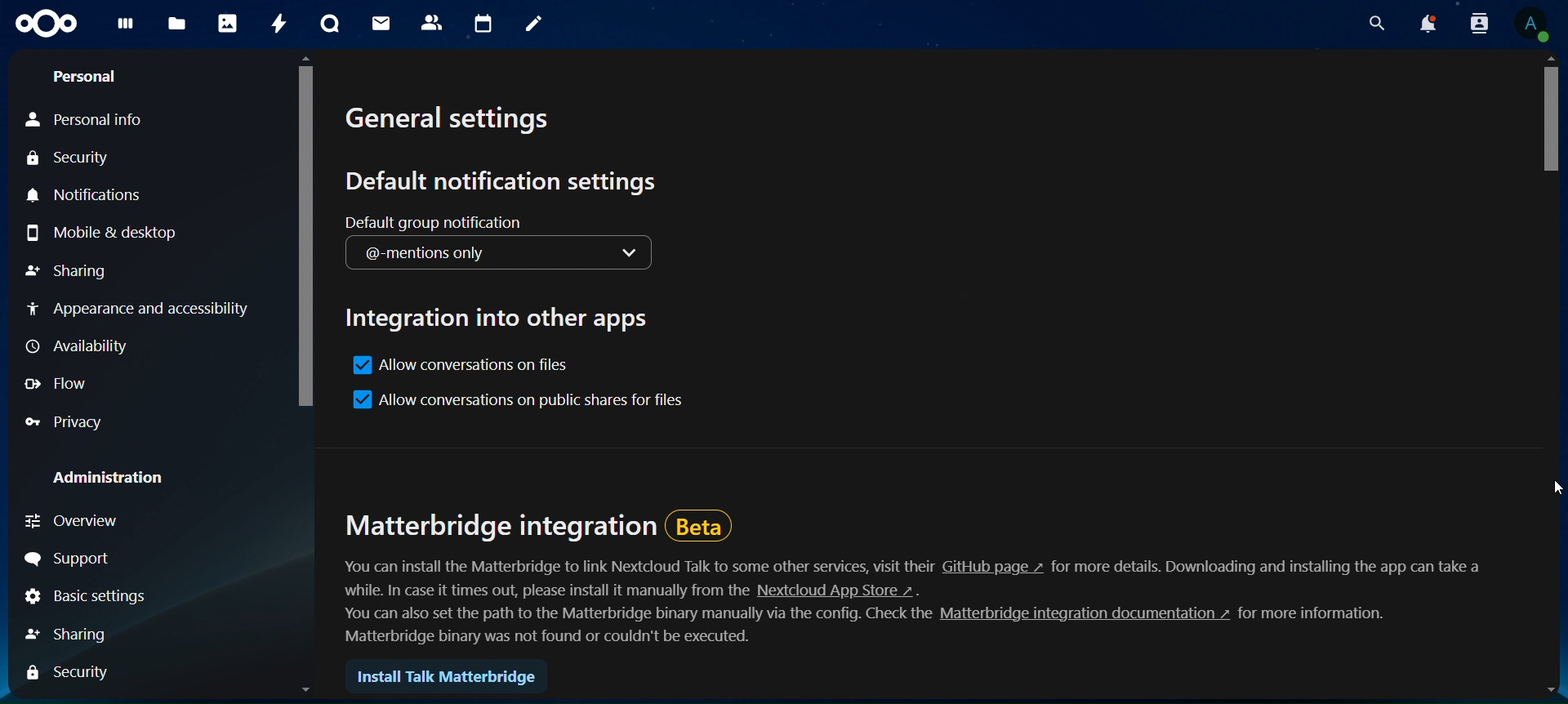 Image resolution: width=1568 pixels, height=704 pixels. I want to click on allow conversations on public shares for files, so click(515, 402).